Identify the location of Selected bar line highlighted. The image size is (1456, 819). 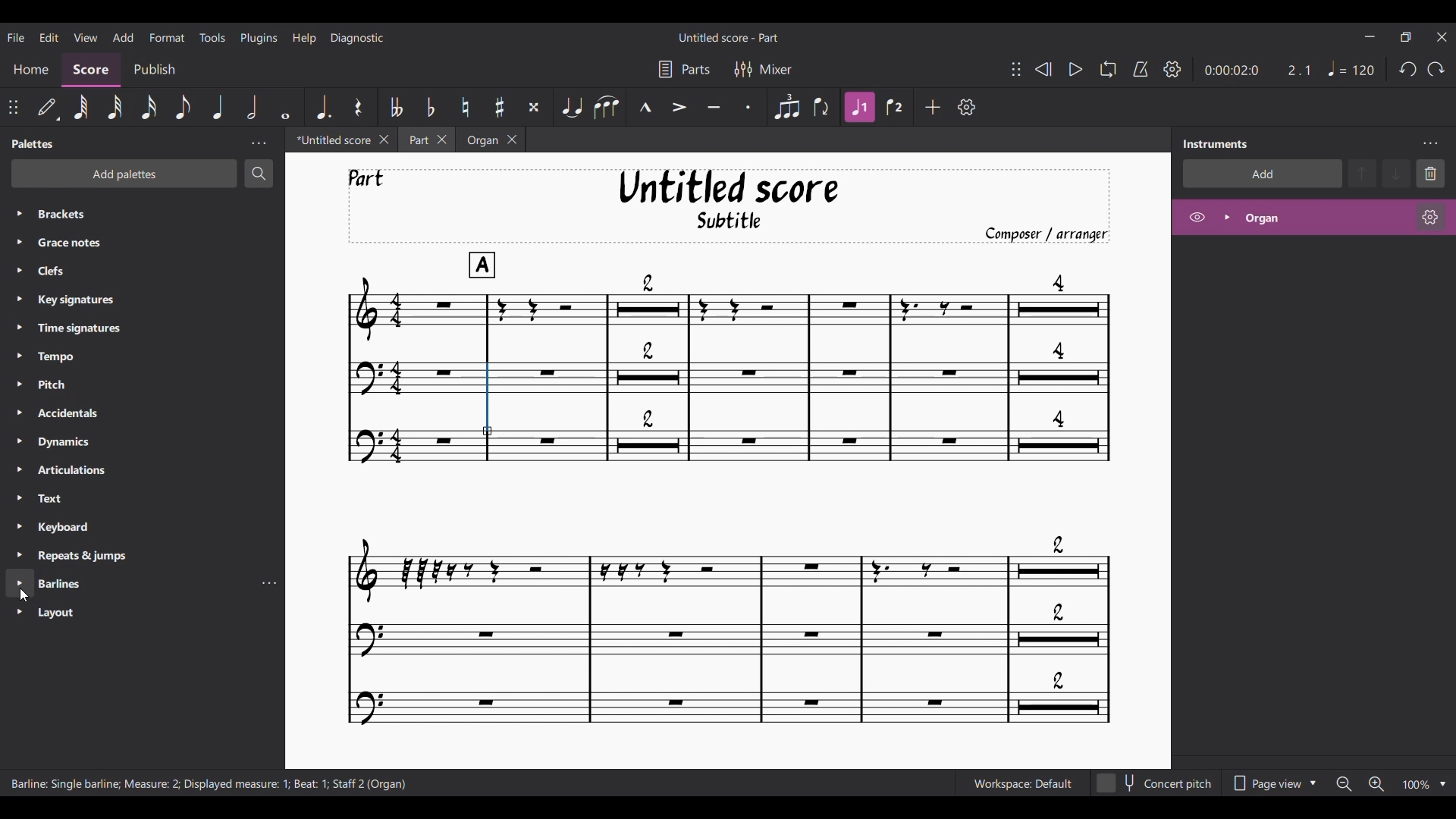
(488, 400).